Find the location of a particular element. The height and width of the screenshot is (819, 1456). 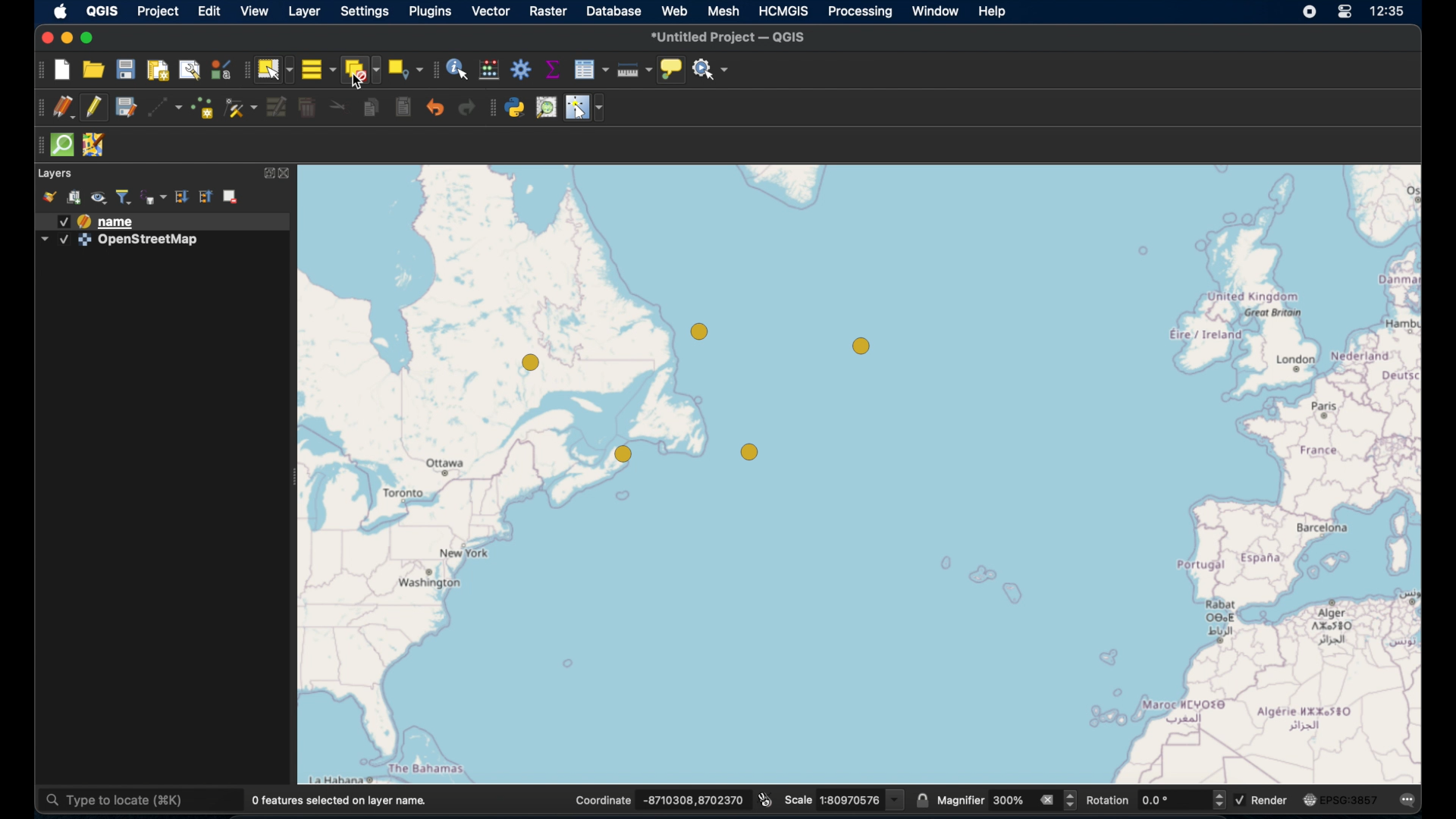

switches mouse to a configurable pointer is located at coordinates (585, 108).